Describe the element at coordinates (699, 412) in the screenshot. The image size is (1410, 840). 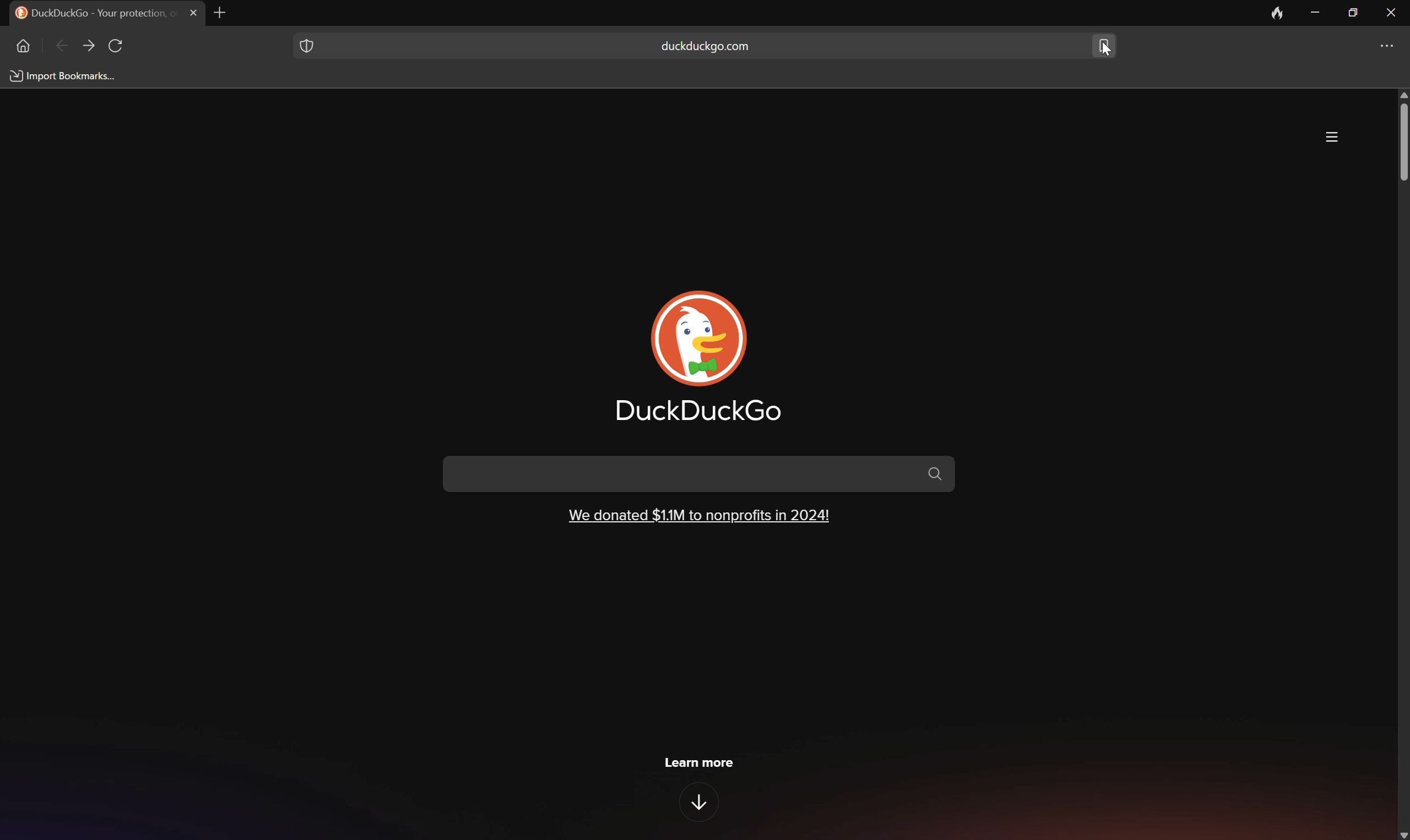
I see `DuckDuckGo` at that location.